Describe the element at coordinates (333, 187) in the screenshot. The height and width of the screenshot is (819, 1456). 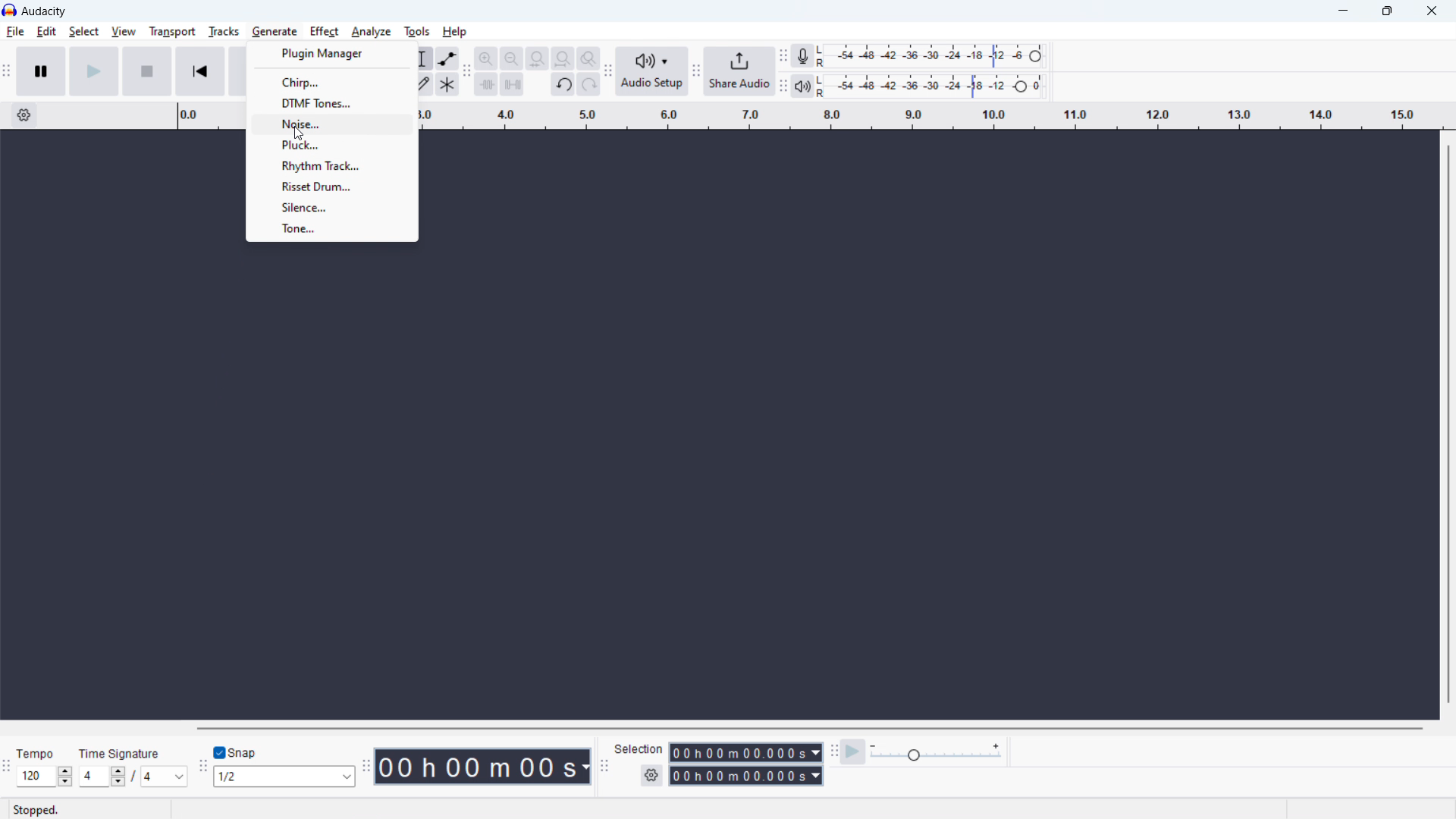
I see `risset drum` at that location.